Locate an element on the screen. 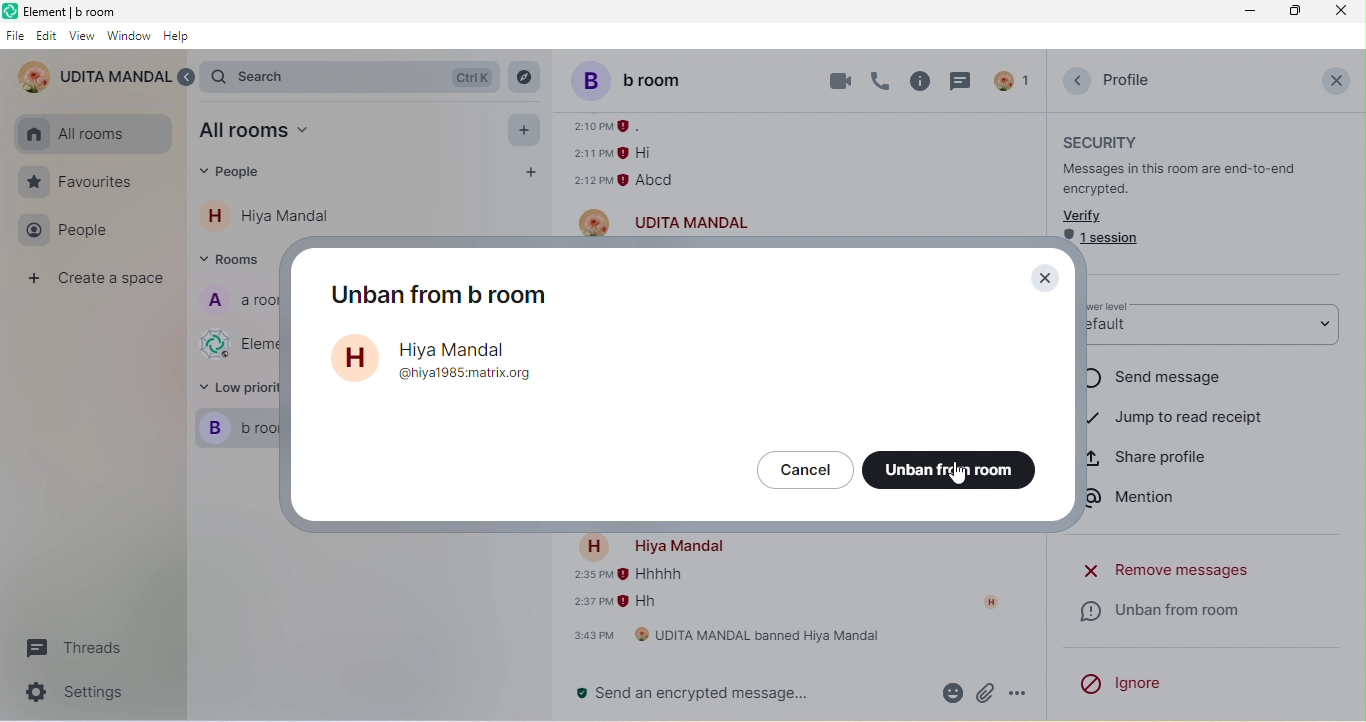  account profile image is located at coordinates (595, 222).